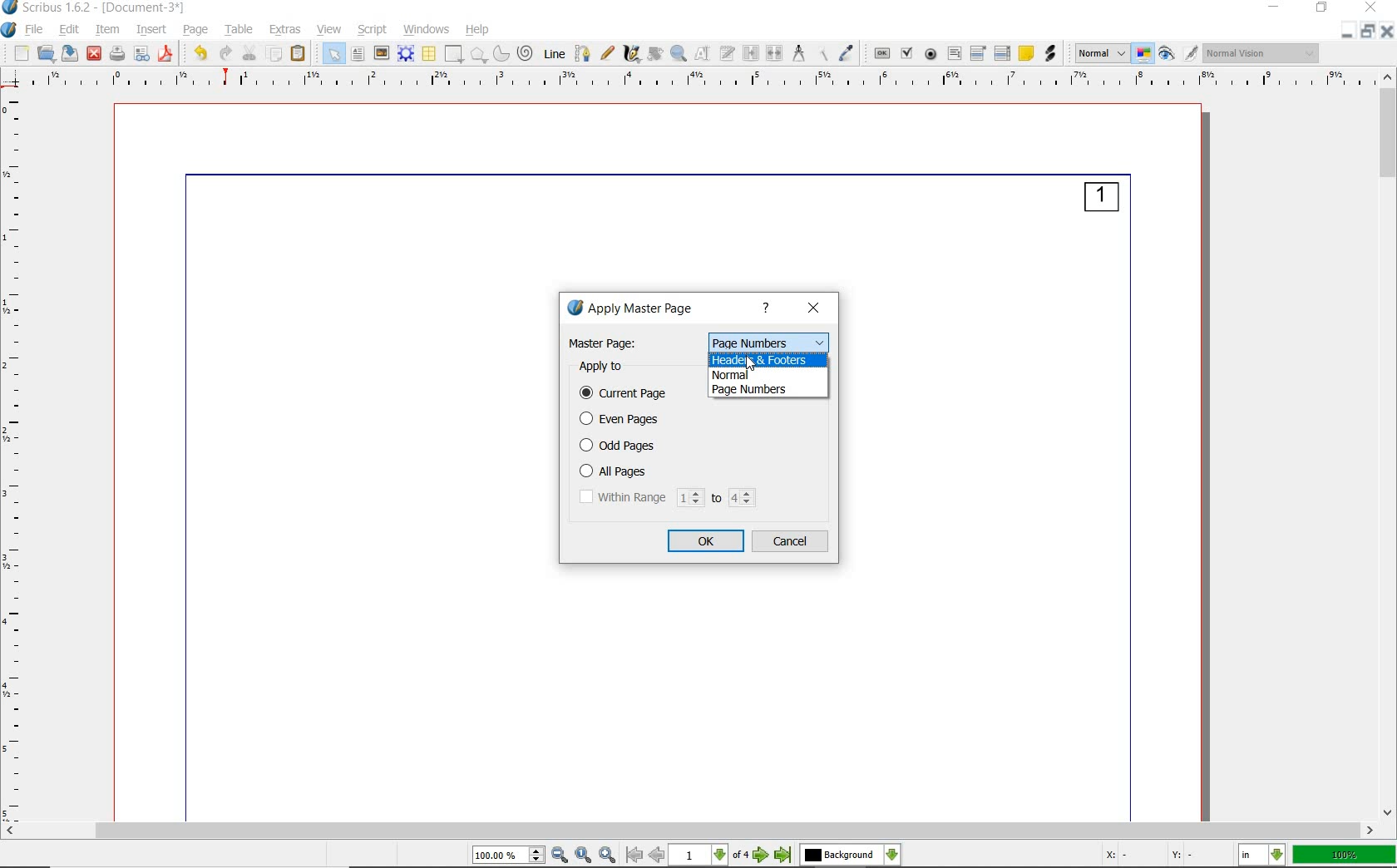  What do you see at coordinates (798, 54) in the screenshot?
I see `measurements` at bounding box center [798, 54].